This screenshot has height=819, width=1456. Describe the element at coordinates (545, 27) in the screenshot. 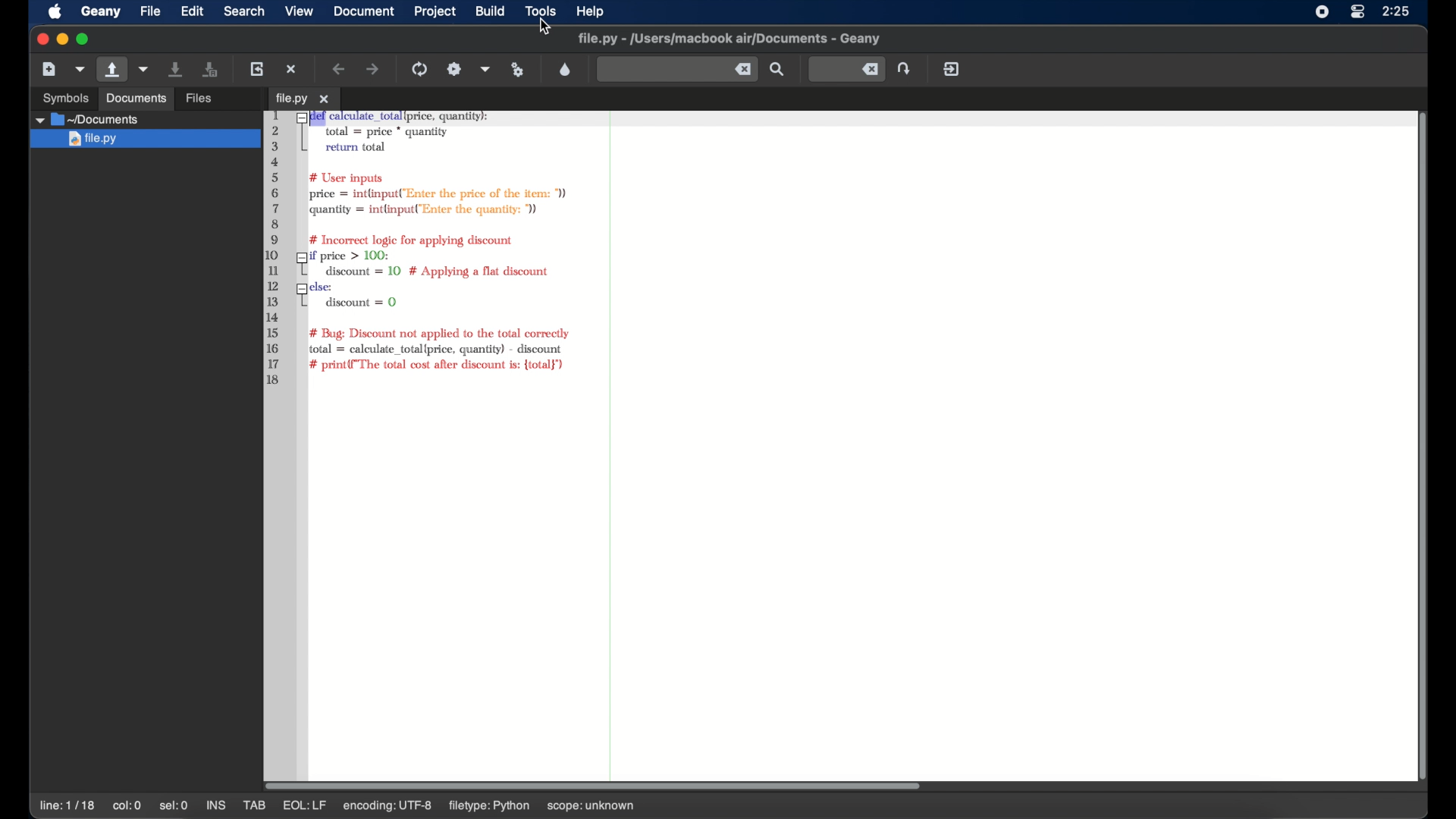

I see `cursor` at that location.